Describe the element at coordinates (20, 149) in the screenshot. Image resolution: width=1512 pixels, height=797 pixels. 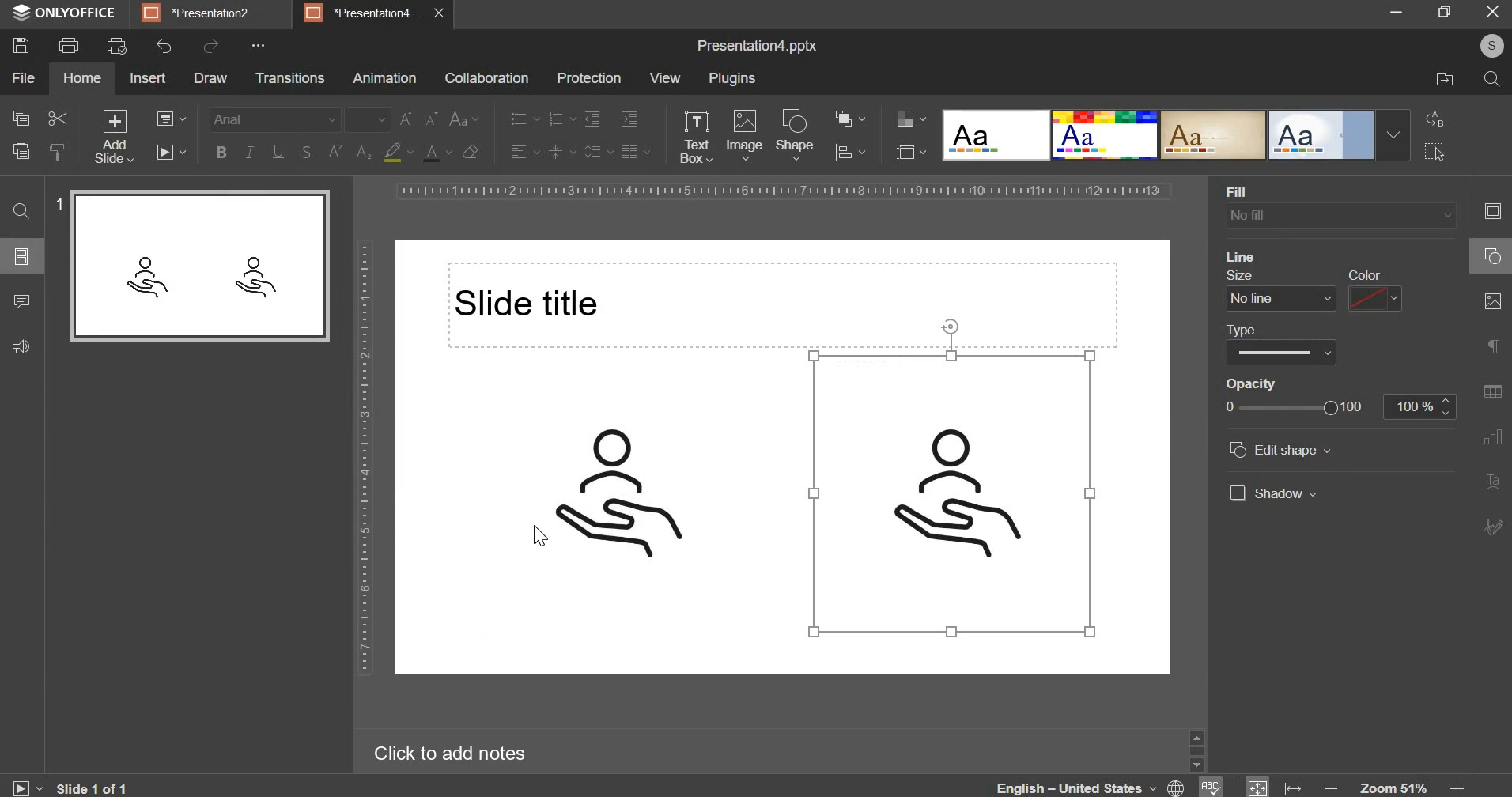
I see `paste` at that location.